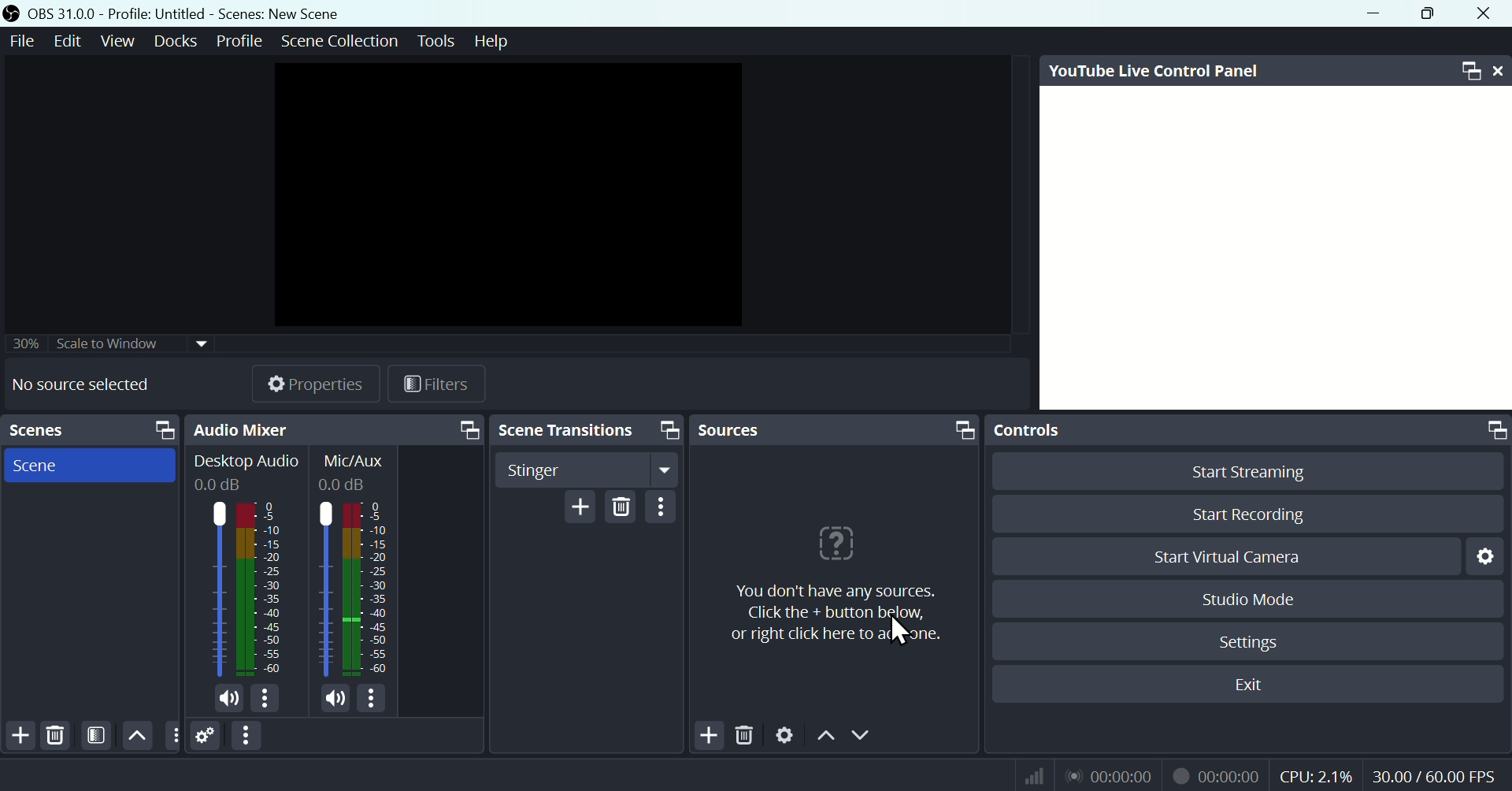 The image size is (1512, 791). What do you see at coordinates (580, 506) in the screenshot?
I see `Add ` at bounding box center [580, 506].